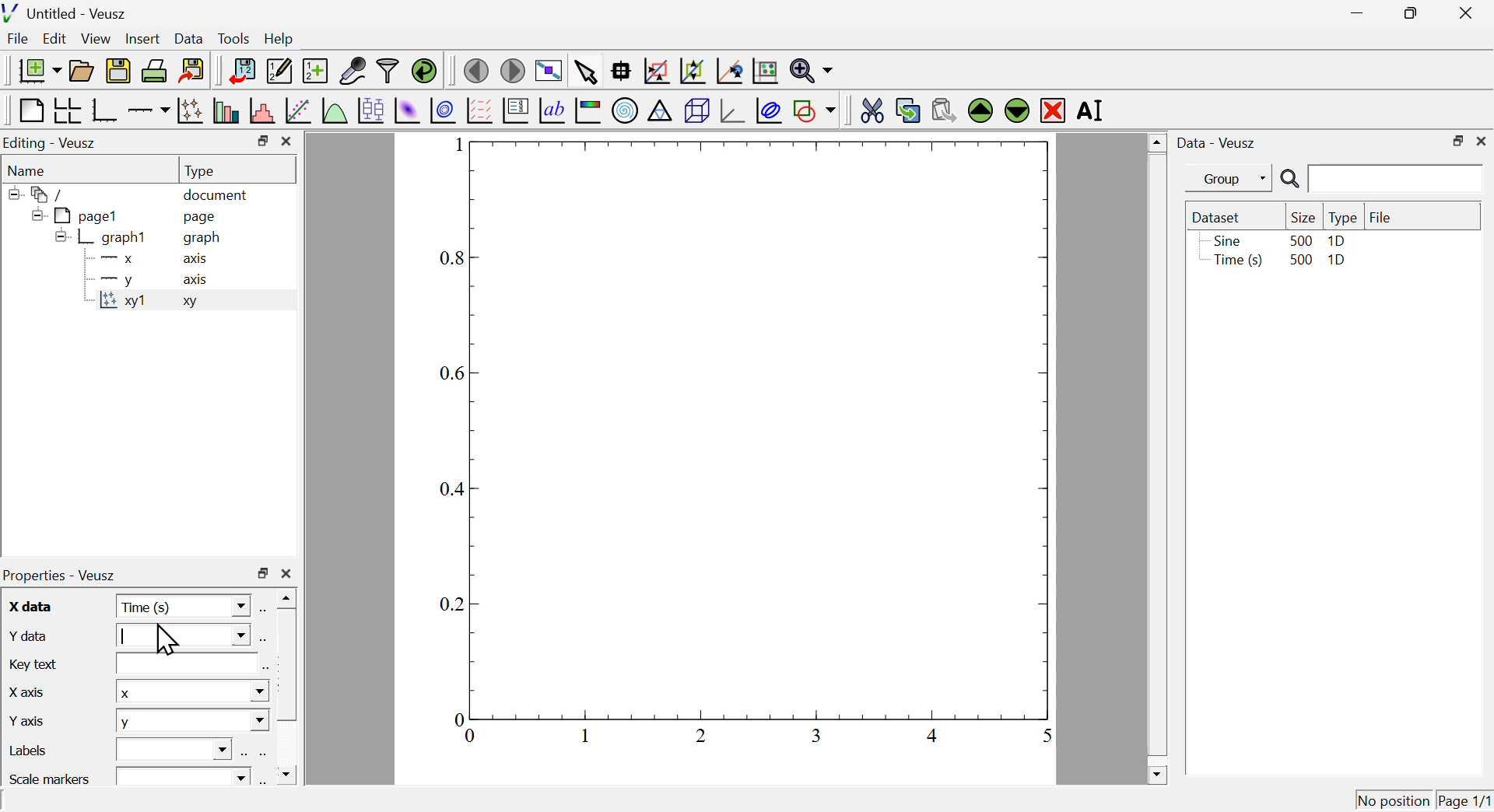 The width and height of the screenshot is (1494, 812). I want to click on data veusz, so click(1217, 142).